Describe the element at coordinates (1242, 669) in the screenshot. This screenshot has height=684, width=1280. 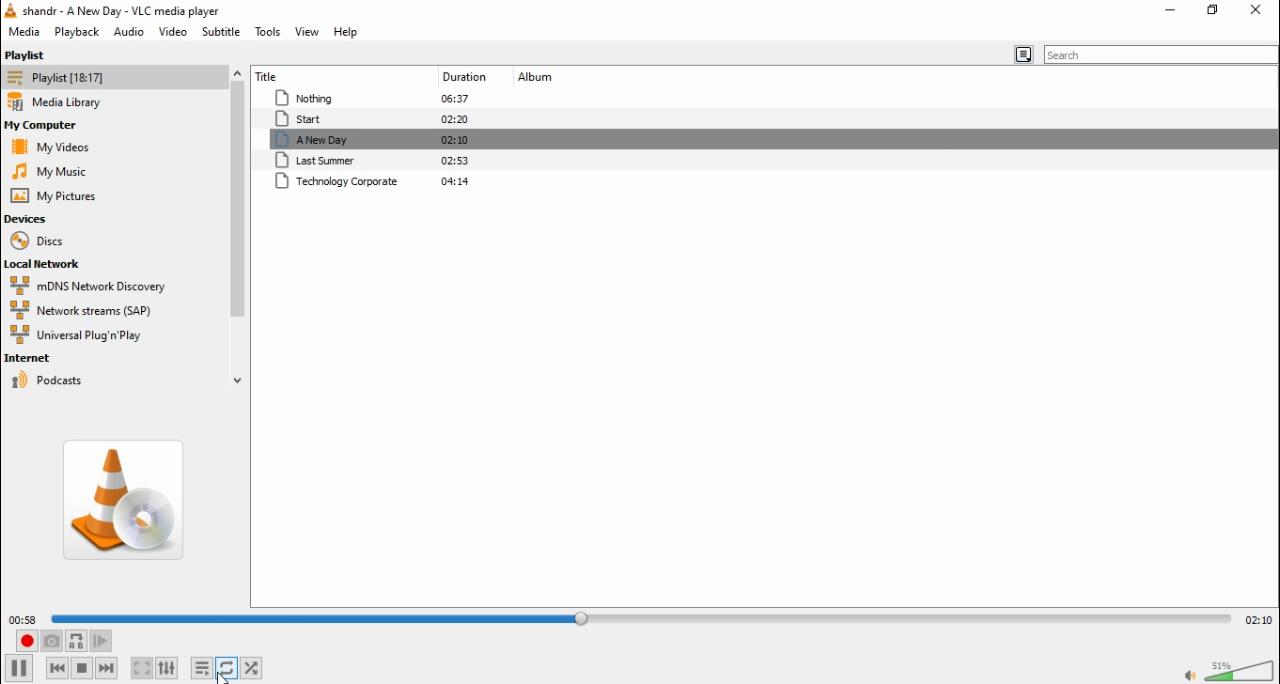
I see `volume` at that location.